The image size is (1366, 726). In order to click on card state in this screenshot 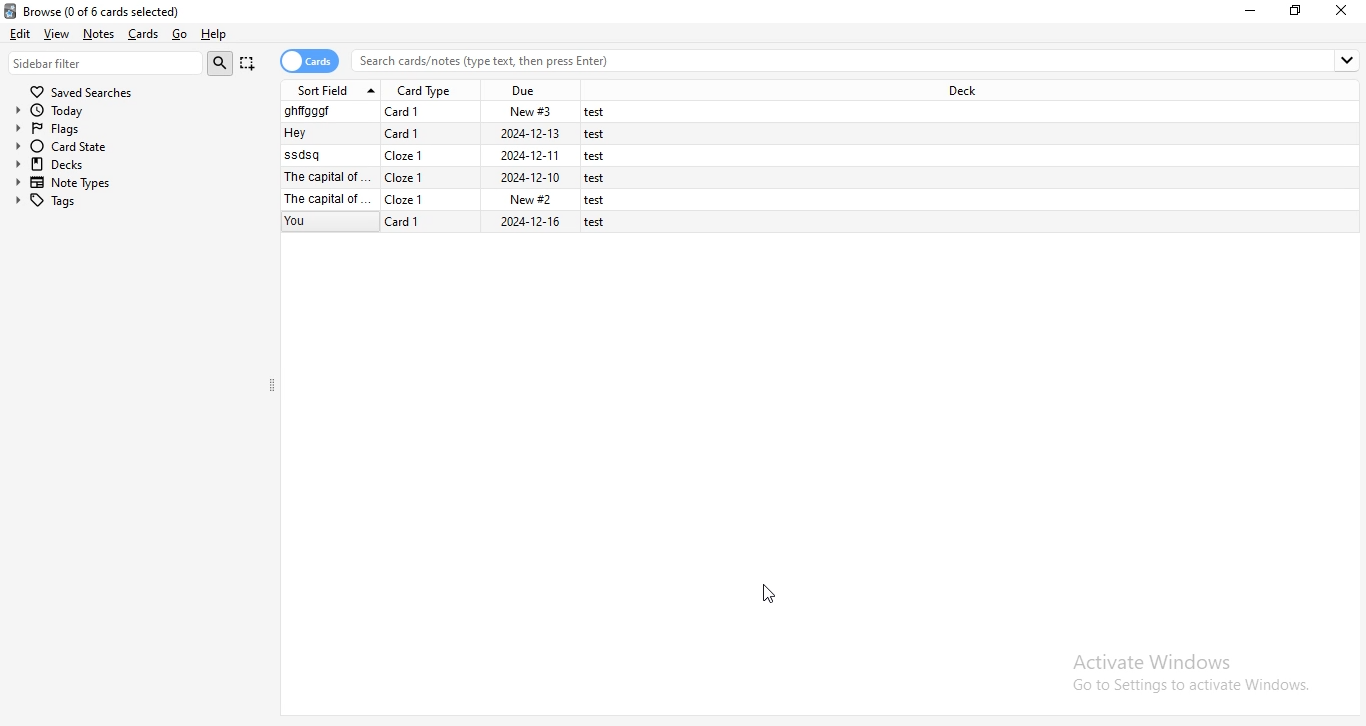, I will do `click(134, 147)`.